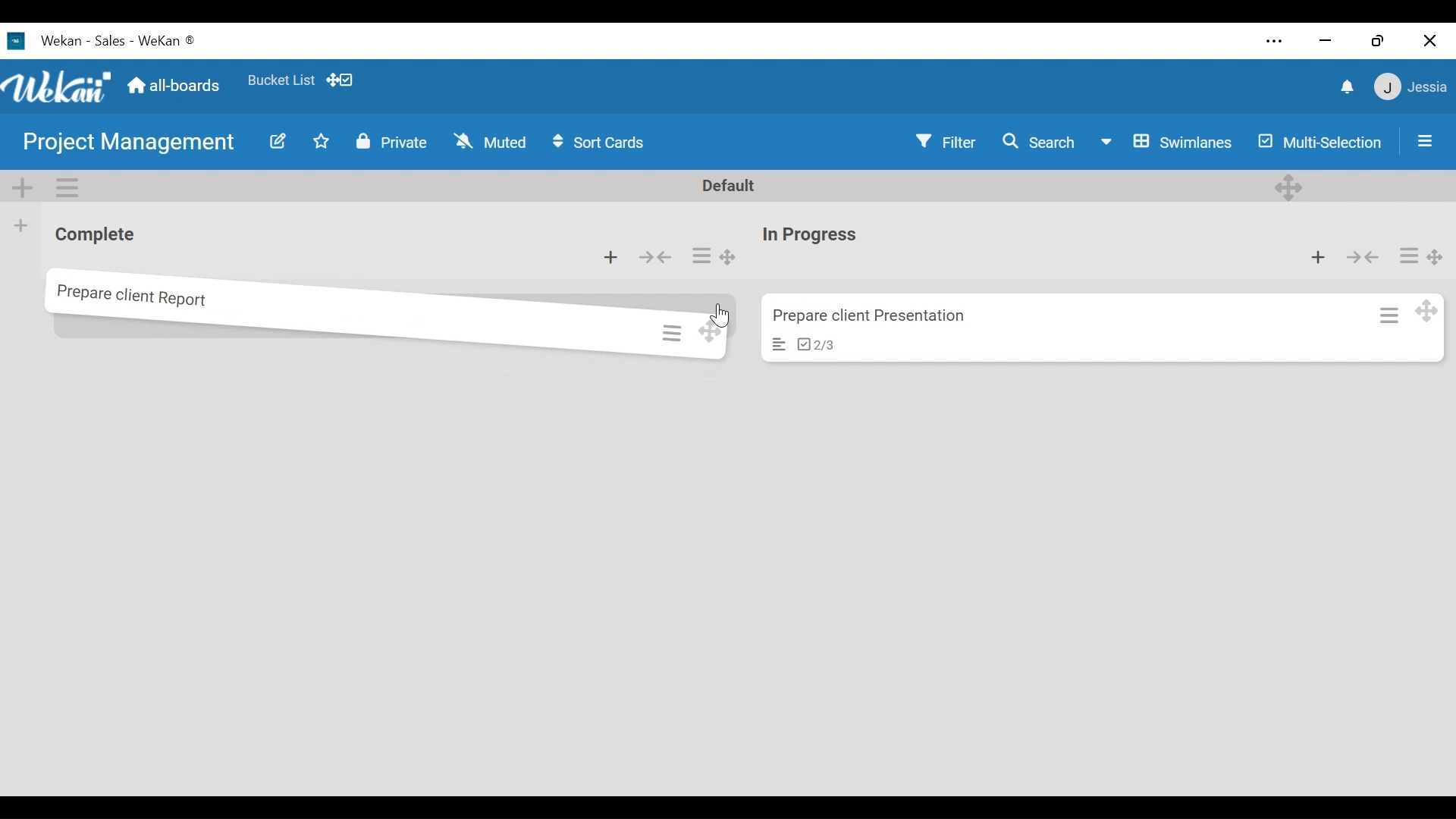 This screenshot has height=819, width=1456. Describe the element at coordinates (1341, 86) in the screenshot. I see `notifications` at that location.